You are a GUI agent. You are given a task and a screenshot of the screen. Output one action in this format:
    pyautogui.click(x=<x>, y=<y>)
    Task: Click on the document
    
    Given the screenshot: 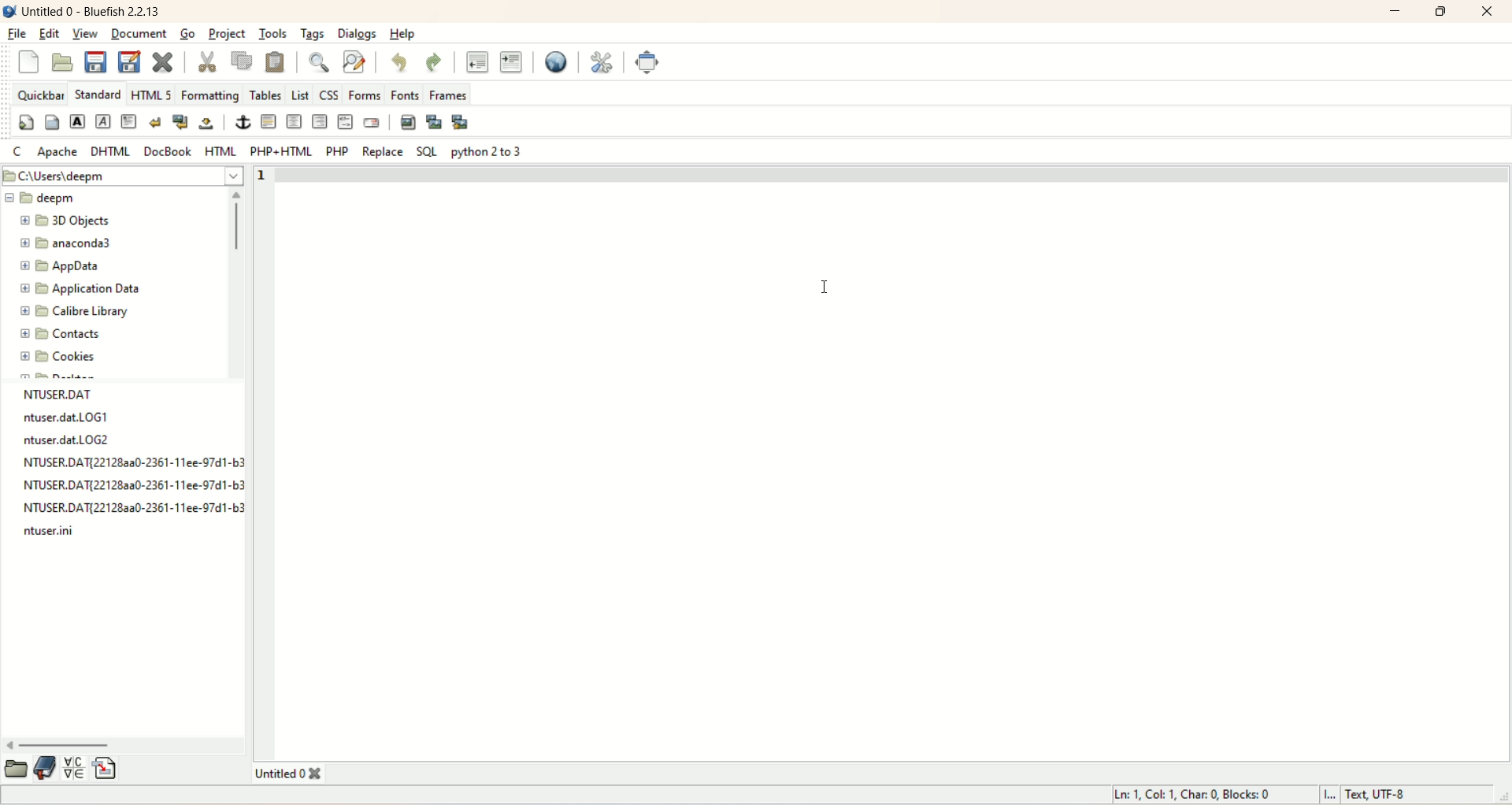 What is the action you would take?
    pyautogui.click(x=139, y=34)
    